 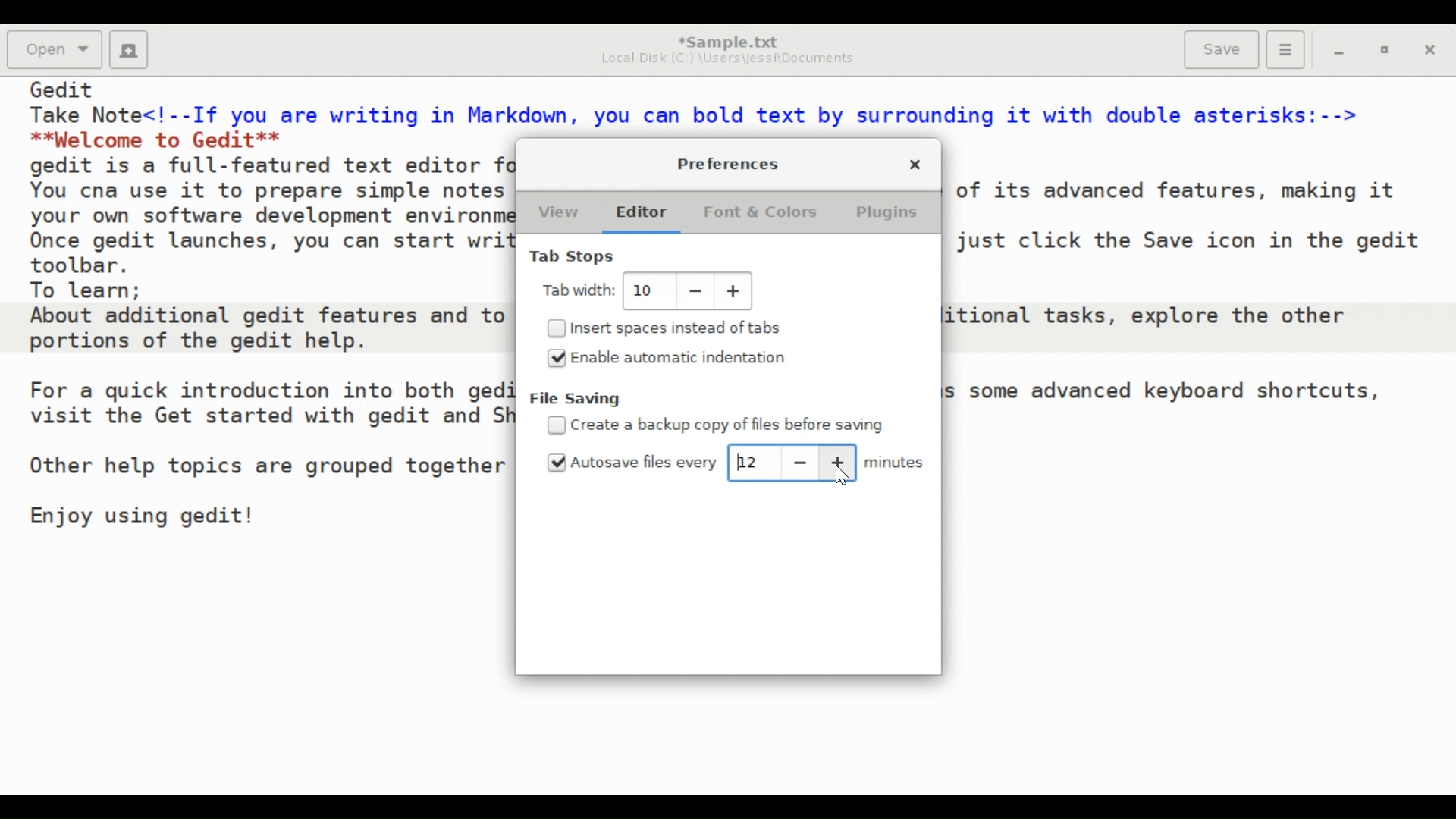 What do you see at coordinates (557, 213) in the screenshot?
I see `View` at bounding box center [557, 213].